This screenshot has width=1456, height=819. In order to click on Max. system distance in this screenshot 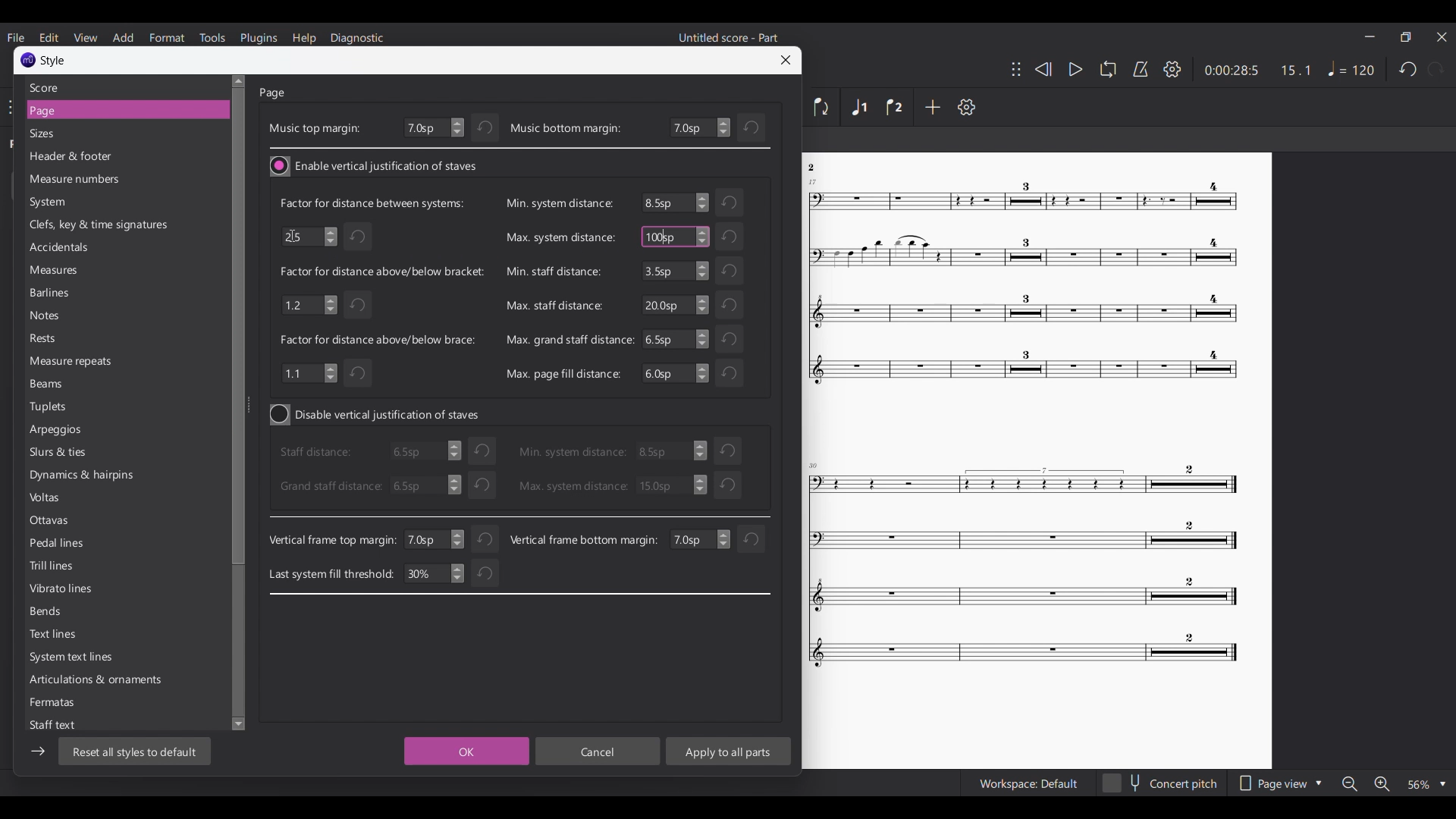, I will do `click(572, 486)`.